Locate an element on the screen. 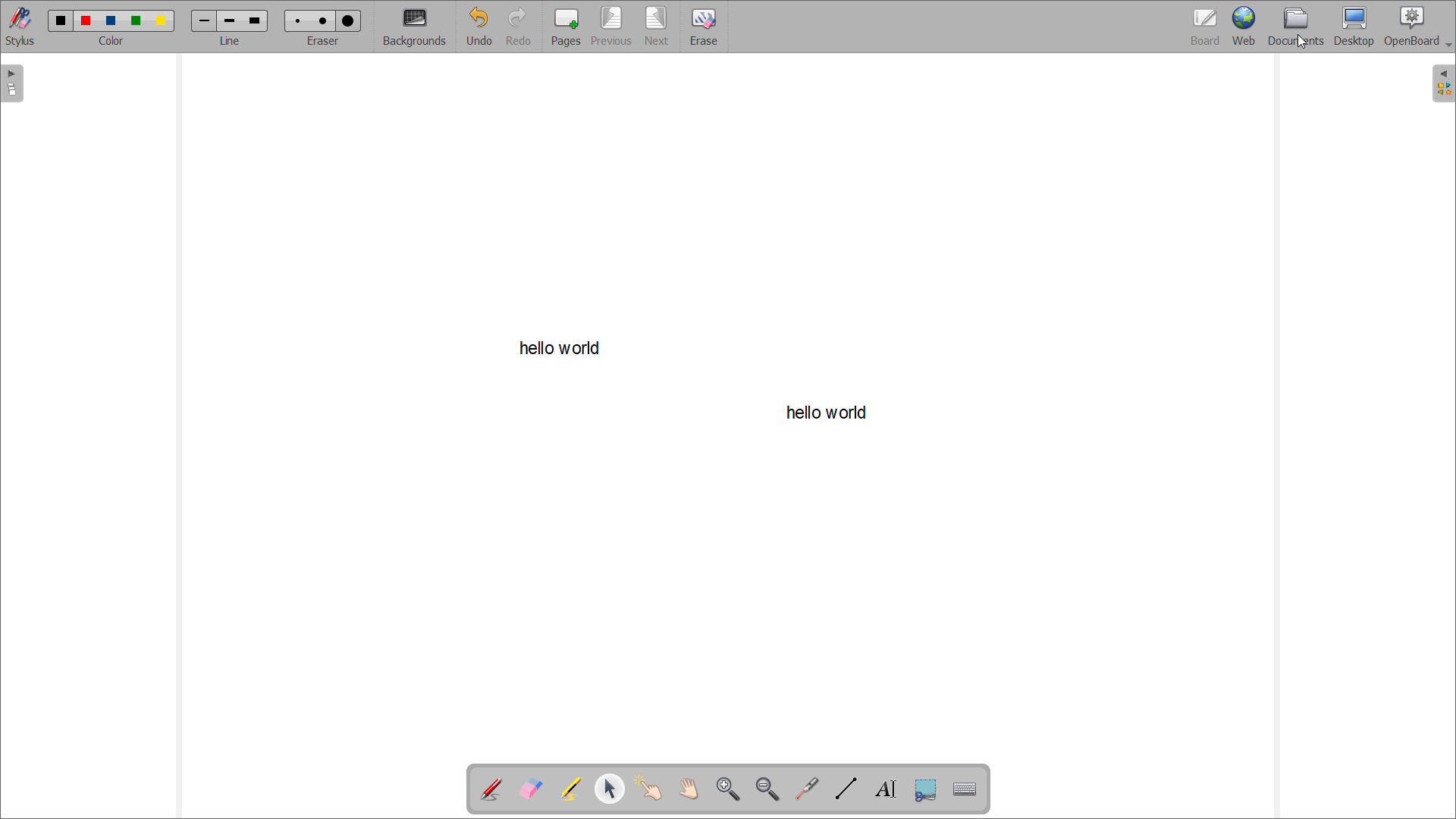 This screenshot has width=1456, height=819. line is located at coordinates (229, 27).